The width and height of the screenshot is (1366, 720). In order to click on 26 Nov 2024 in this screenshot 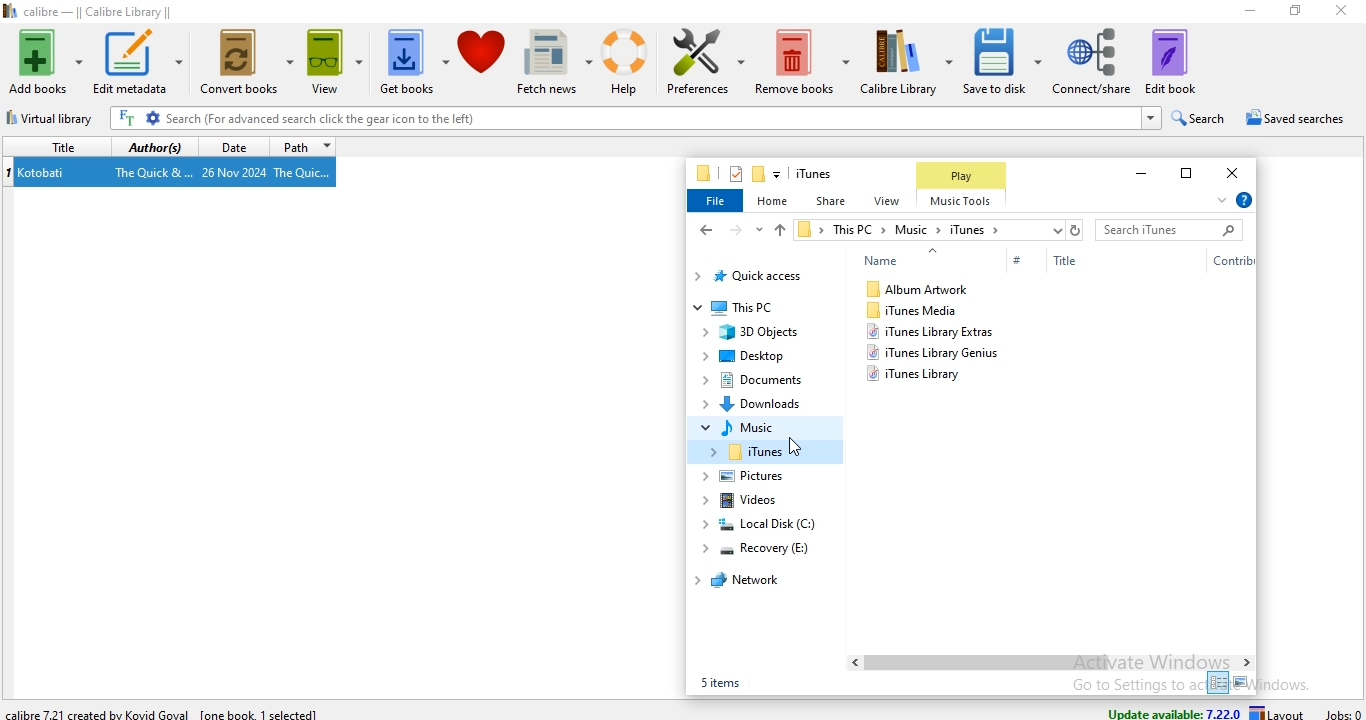, I will do `click(235, 172)`.